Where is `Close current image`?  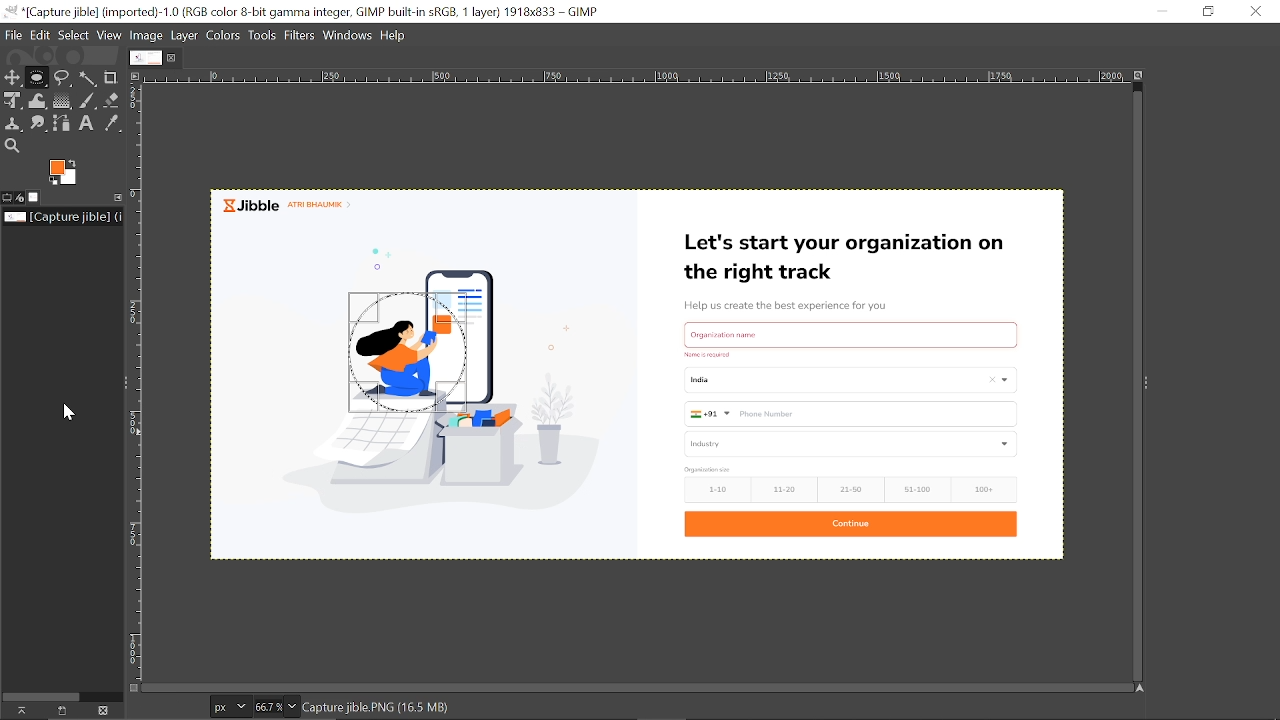
Close current image is located at coordinates (173, 58).